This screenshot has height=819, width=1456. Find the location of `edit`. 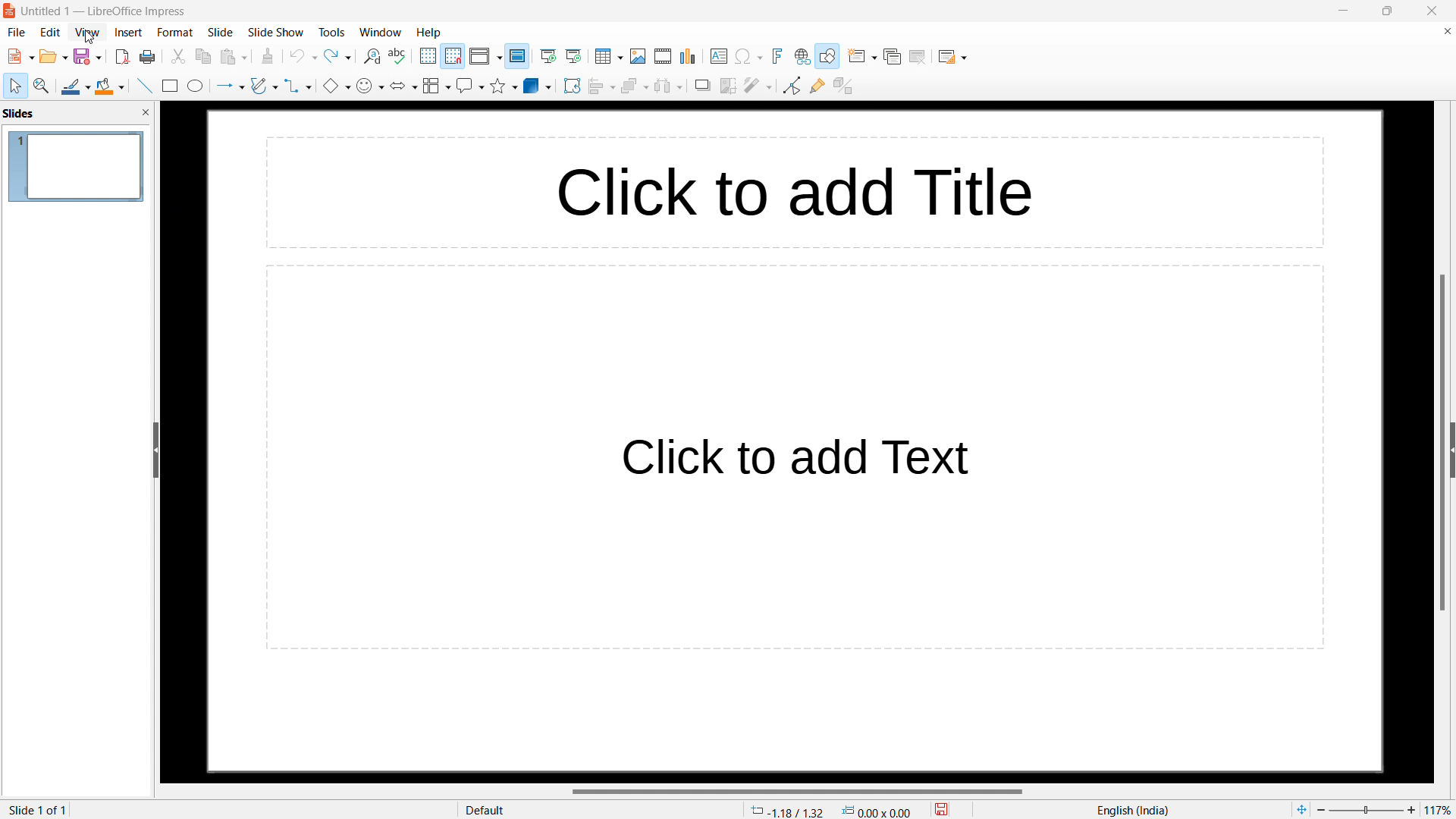

edit is located at coordinates (51, 33).